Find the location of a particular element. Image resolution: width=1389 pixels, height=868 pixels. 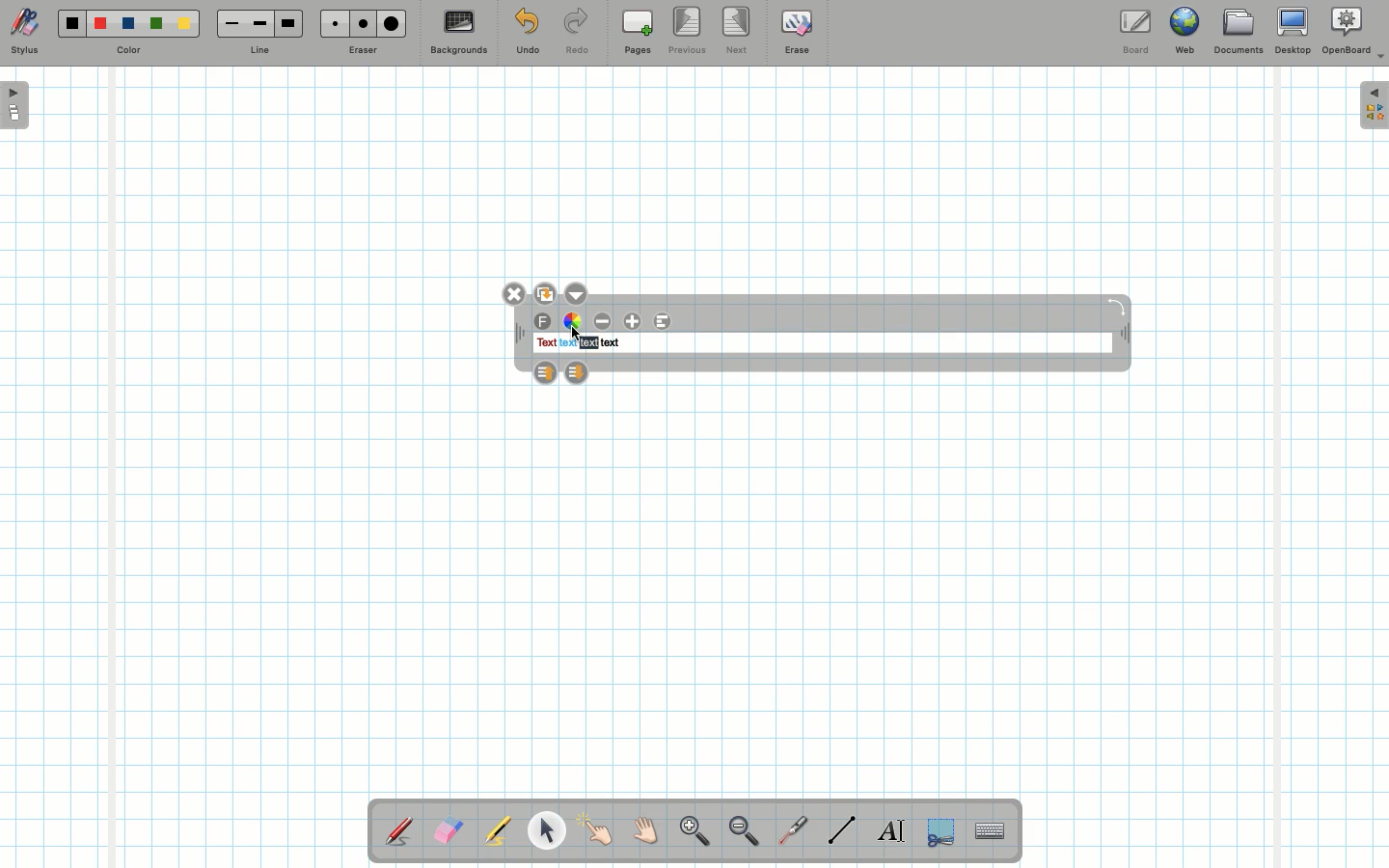

Color is located at coordinates (126, 51).